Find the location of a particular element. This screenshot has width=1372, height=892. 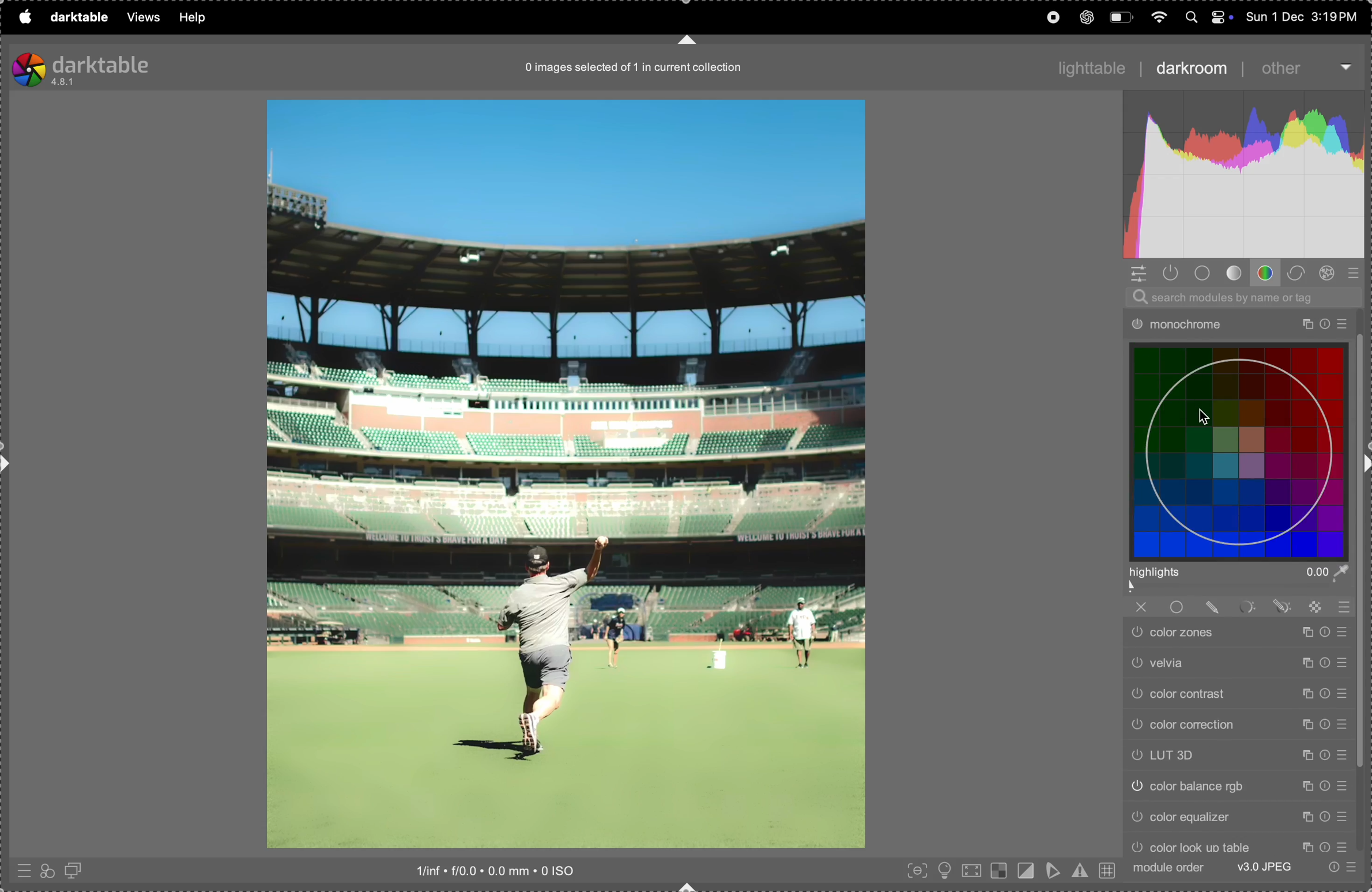

base is located at coordinates (1205, 274).